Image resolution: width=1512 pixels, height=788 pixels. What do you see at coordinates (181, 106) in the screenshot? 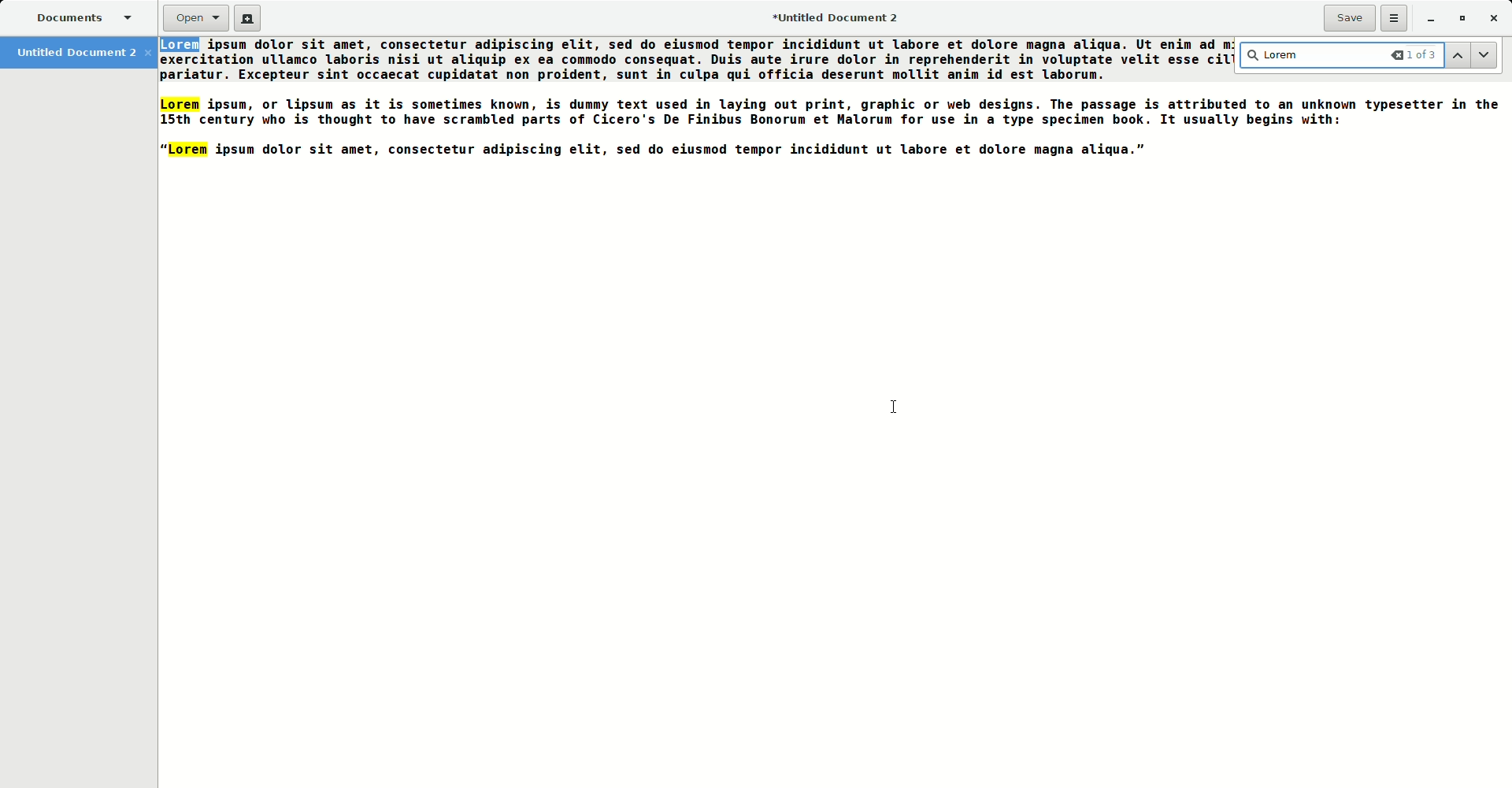
I see `Lorem - Highlighted` at bounding box center [181, 106].